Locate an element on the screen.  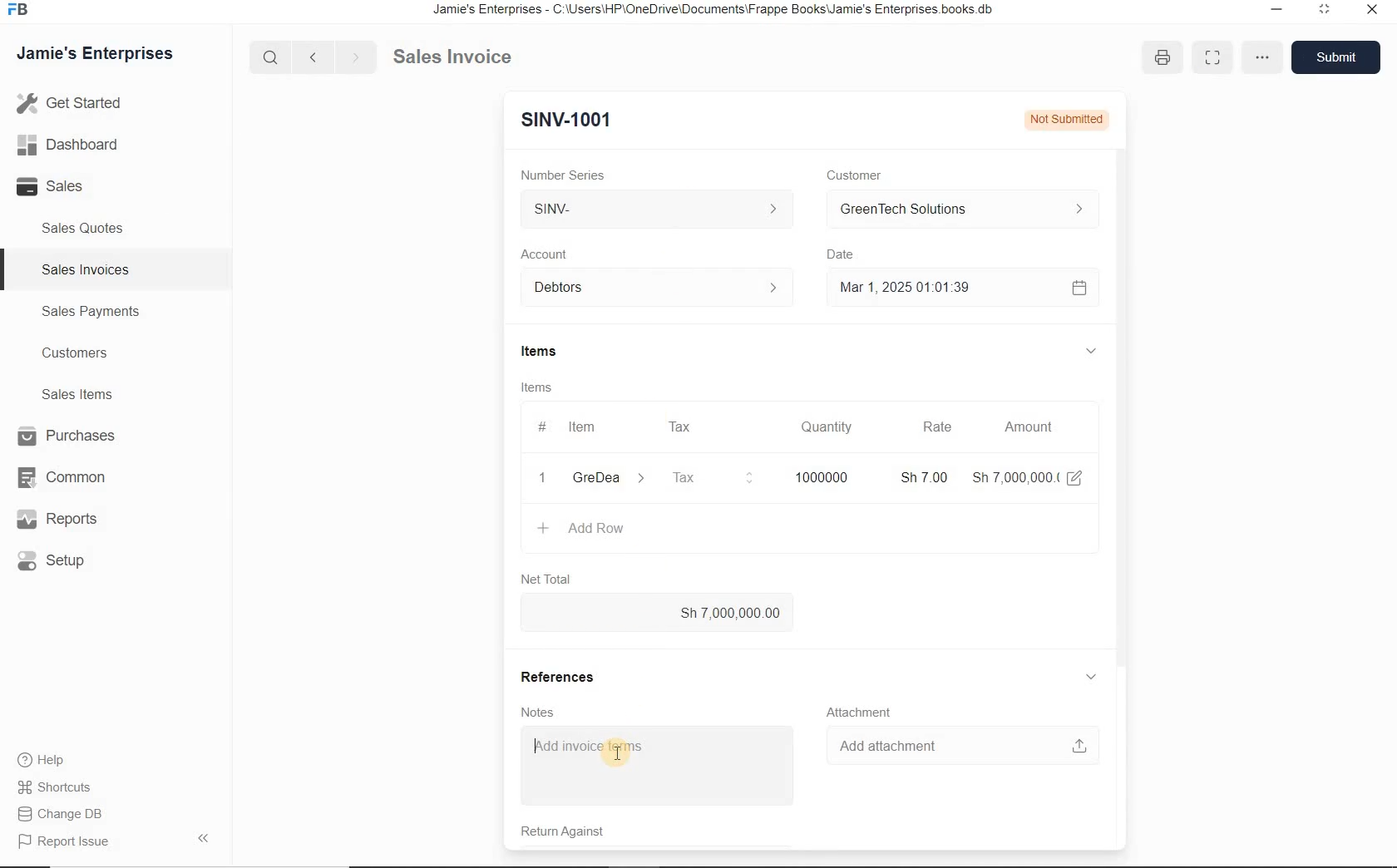
calender is located at coordinates (1078, 287).